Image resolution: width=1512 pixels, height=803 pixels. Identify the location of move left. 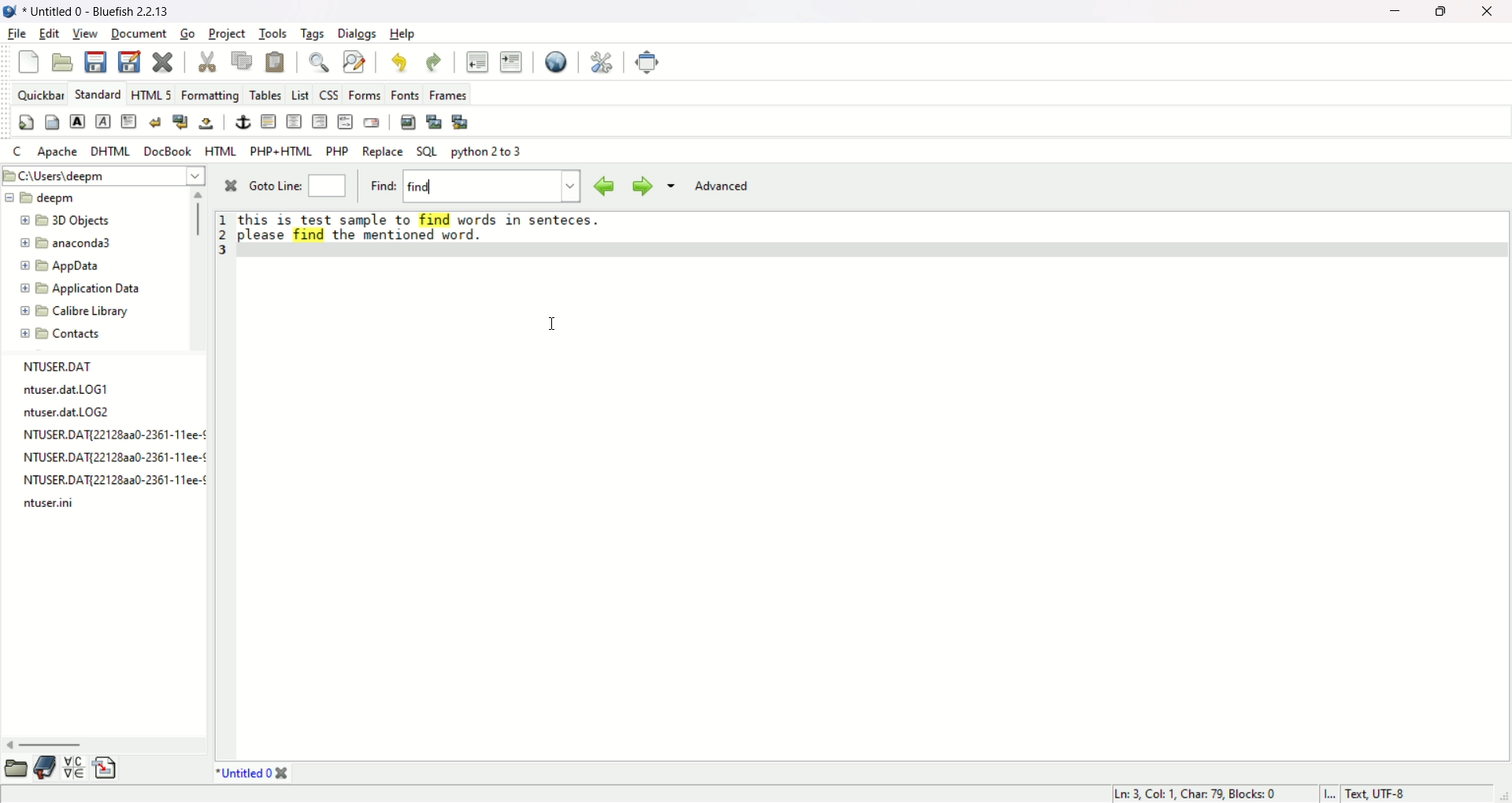
(9, 745).